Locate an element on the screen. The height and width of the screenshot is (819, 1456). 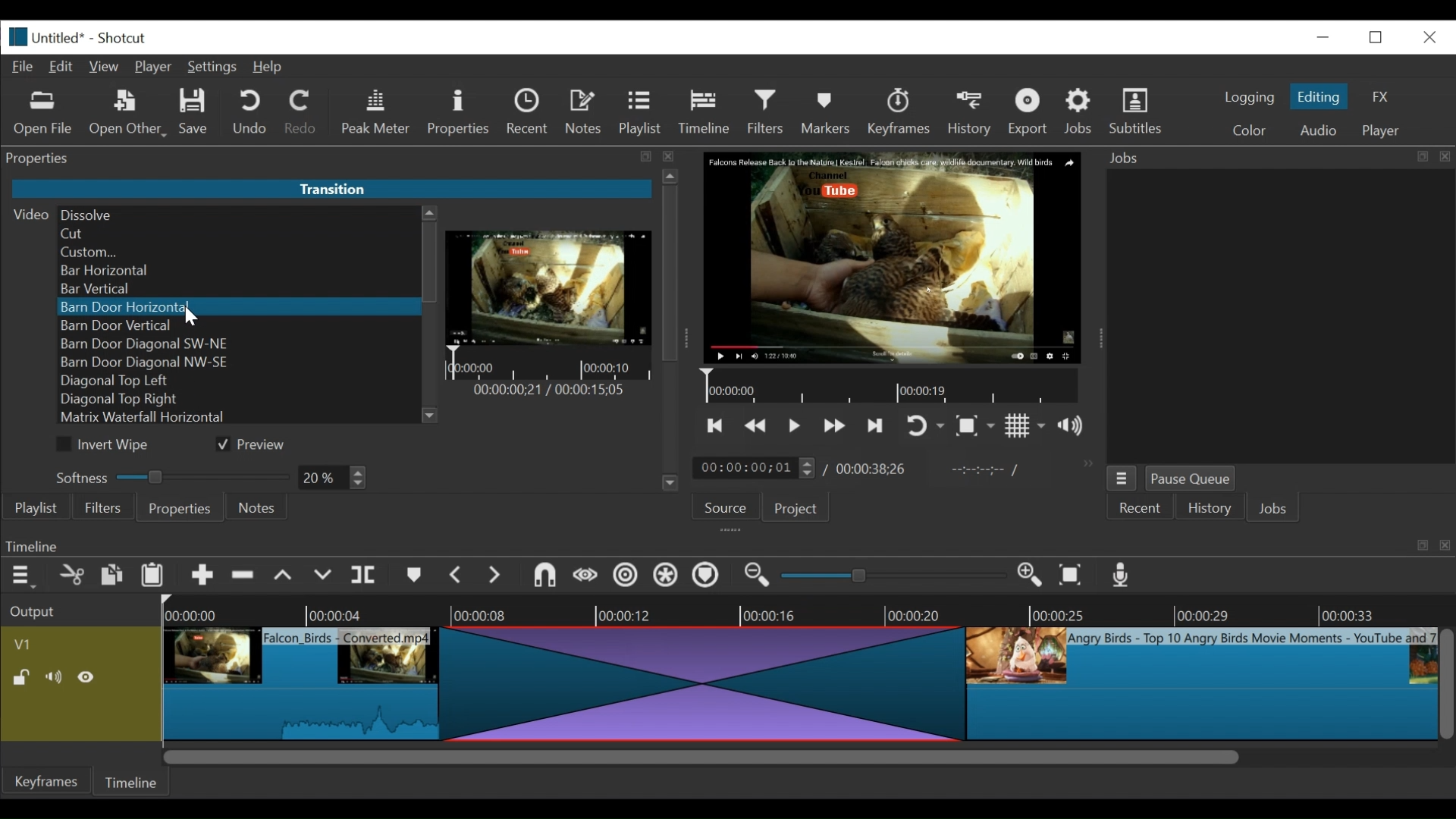
Custom is located at coordinates (239, 252).